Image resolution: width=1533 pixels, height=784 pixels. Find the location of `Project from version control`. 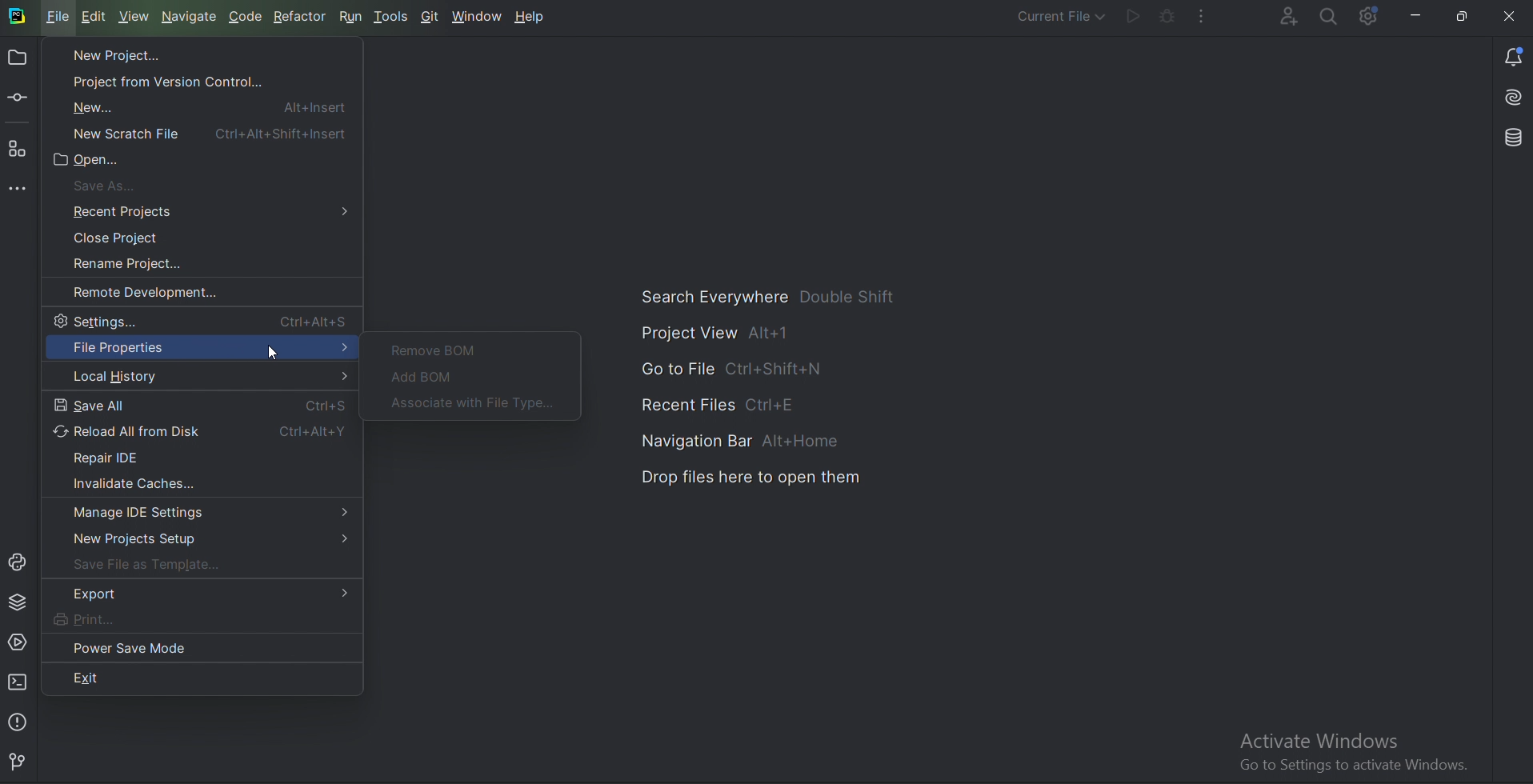

Project from version control is located at coordinates (175, 78).